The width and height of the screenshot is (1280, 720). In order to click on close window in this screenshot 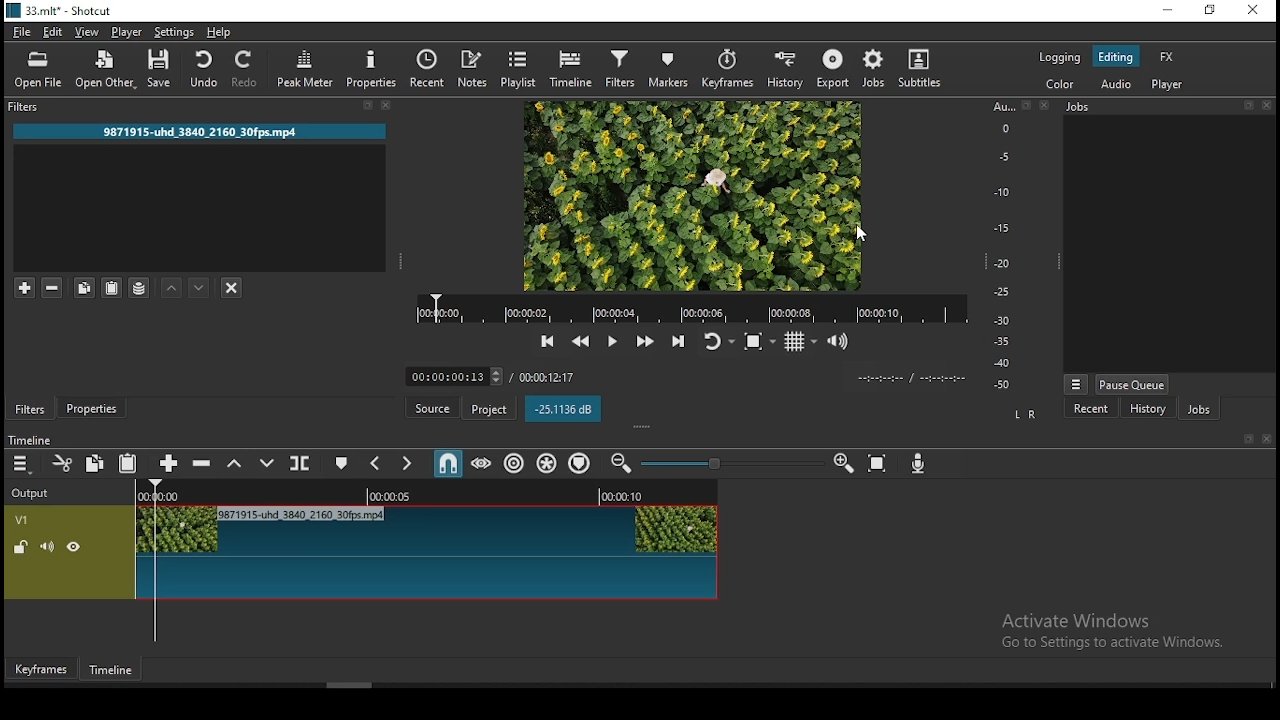, I will do `click(1255, 11)`.